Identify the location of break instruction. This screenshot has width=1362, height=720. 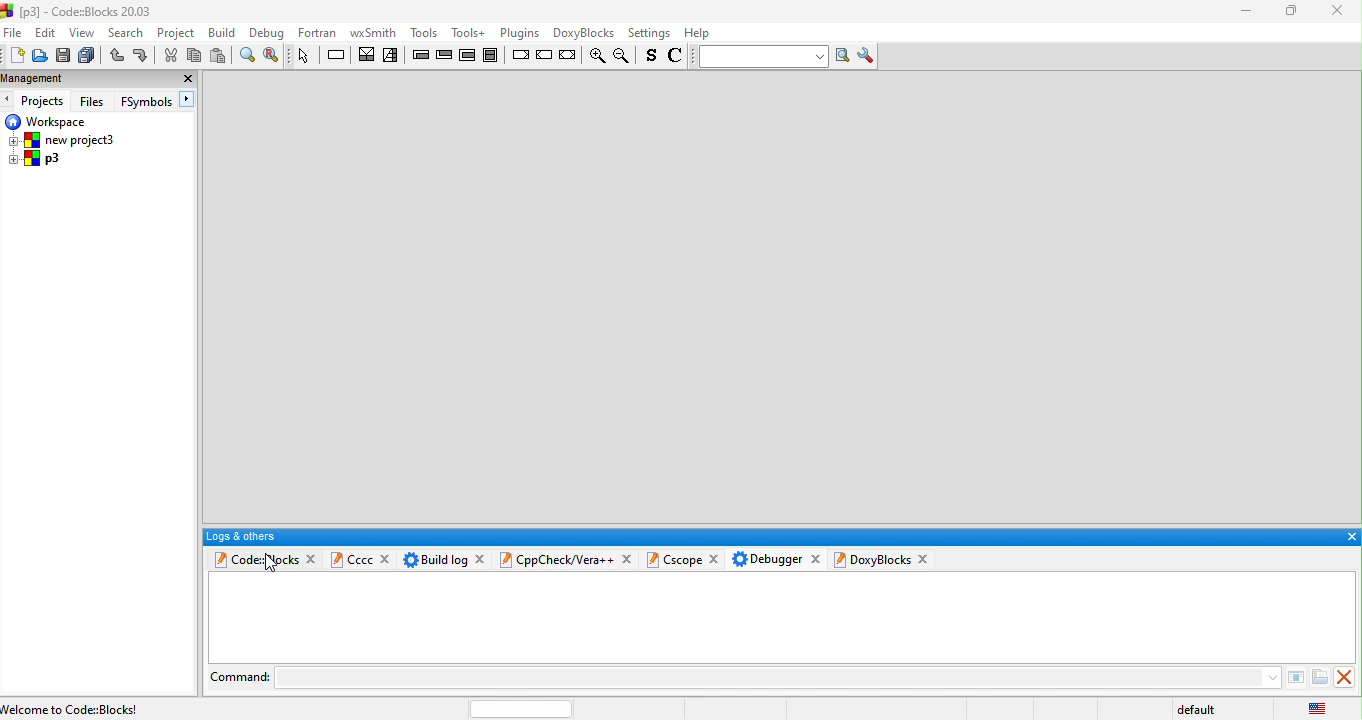
(520, 55).